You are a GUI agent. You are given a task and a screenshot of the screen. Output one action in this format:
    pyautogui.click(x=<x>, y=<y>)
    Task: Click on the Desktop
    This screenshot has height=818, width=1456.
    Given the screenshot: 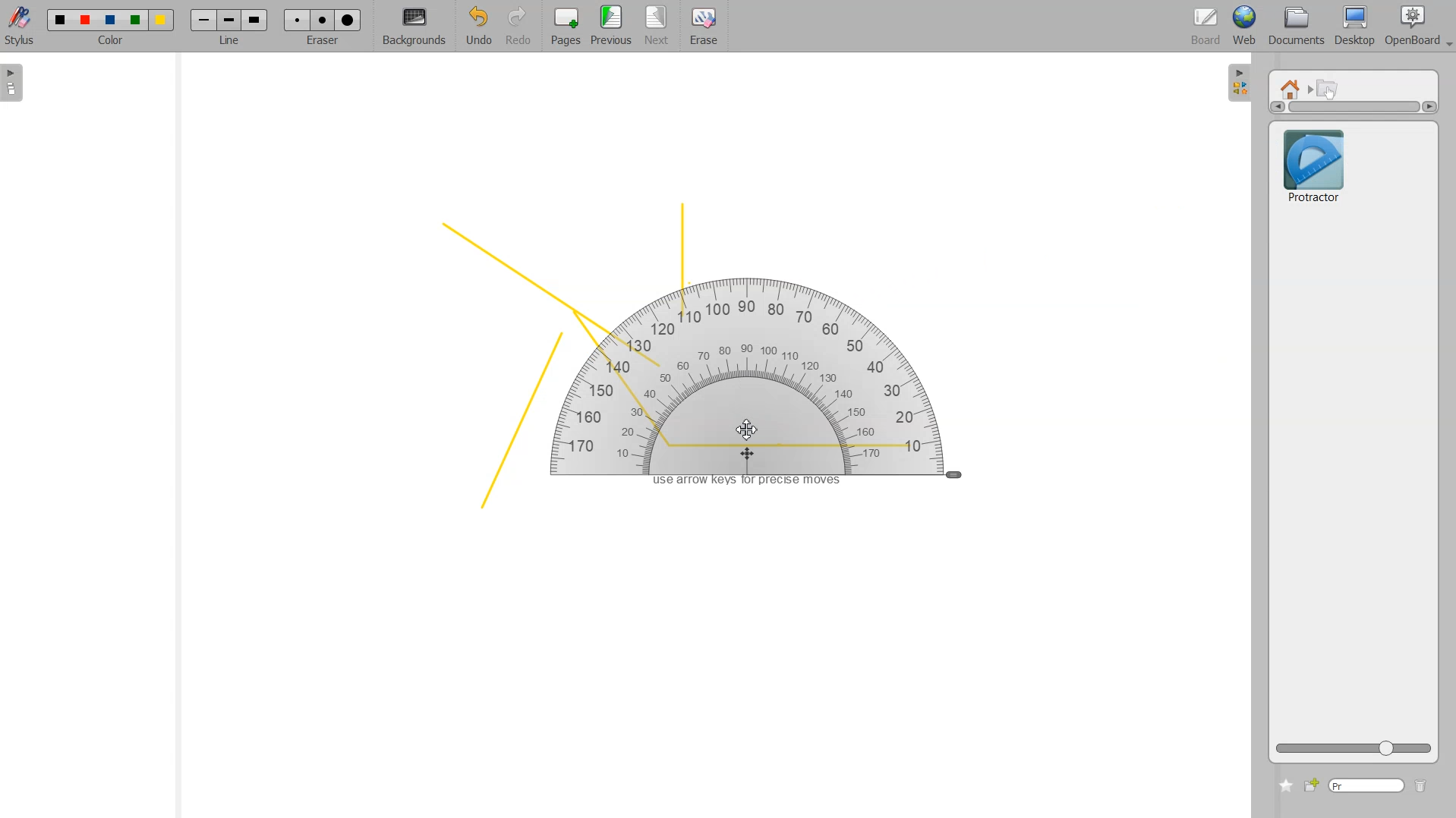 What is the action you would take?
    pyautogui.click(x=1354, y=27)
    